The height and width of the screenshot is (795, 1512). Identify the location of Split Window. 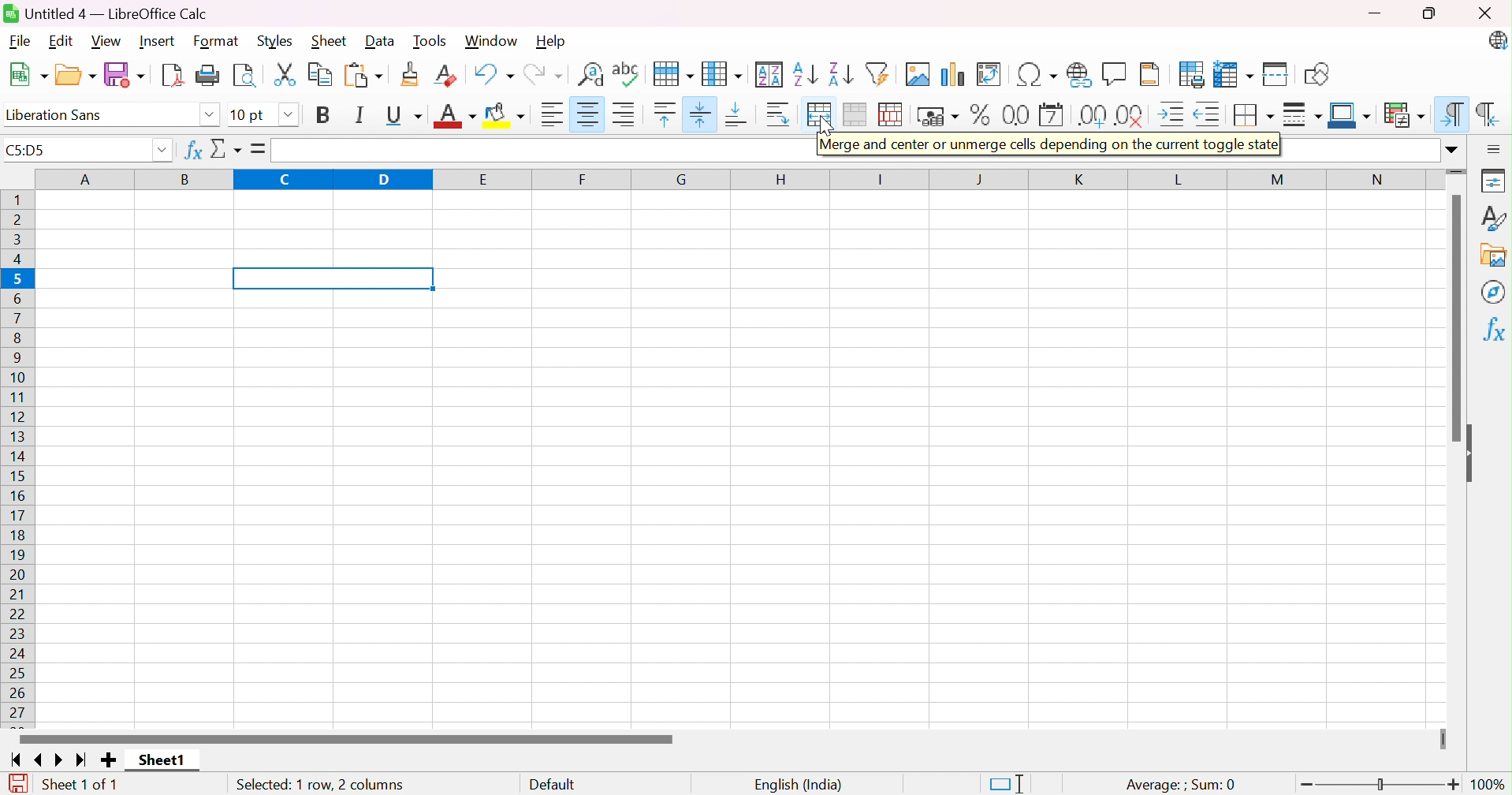
(1277, 73).